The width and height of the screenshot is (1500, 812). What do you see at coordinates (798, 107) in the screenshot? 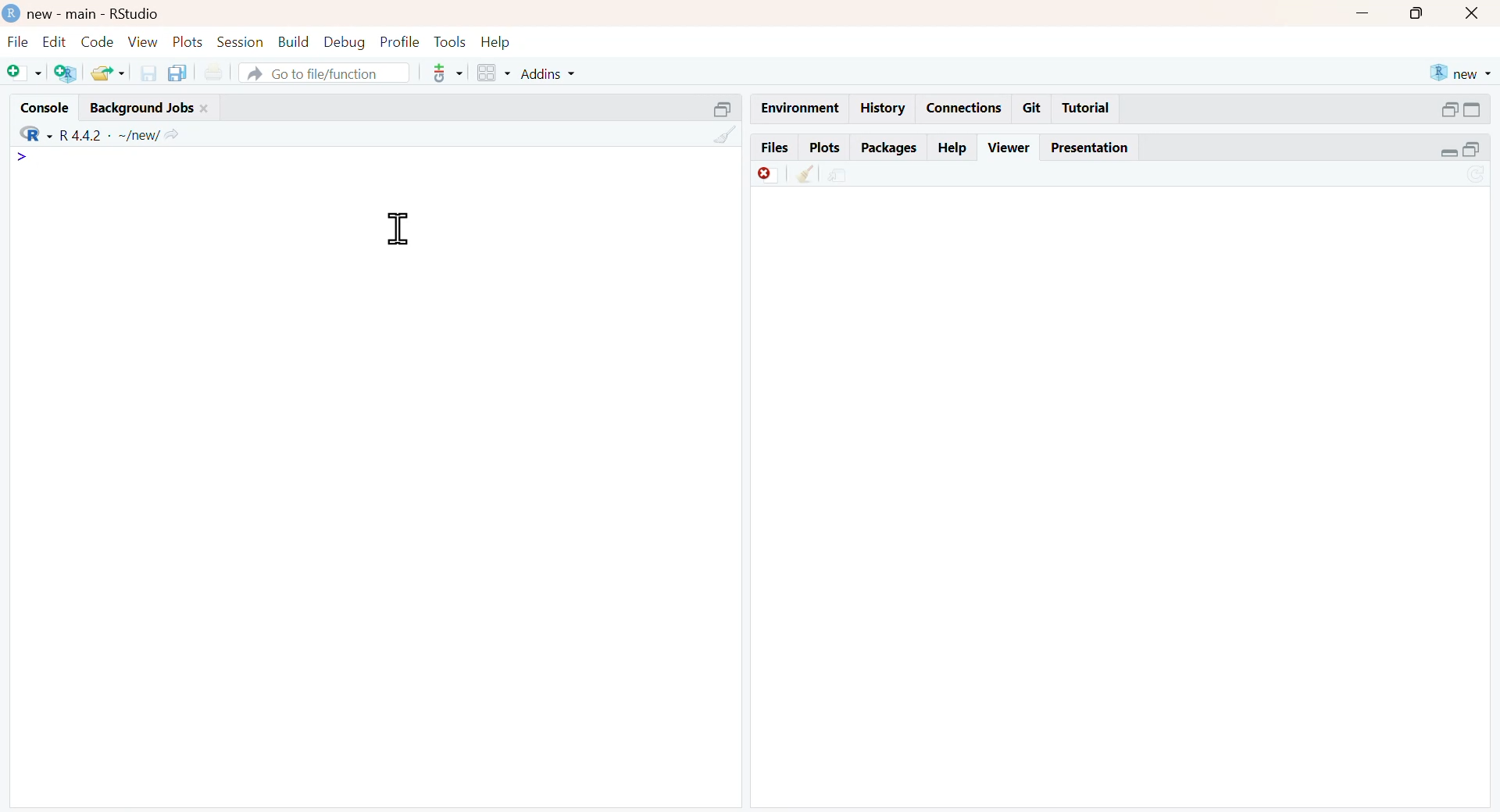
I see `Environment` at bounding box center [798, 107].